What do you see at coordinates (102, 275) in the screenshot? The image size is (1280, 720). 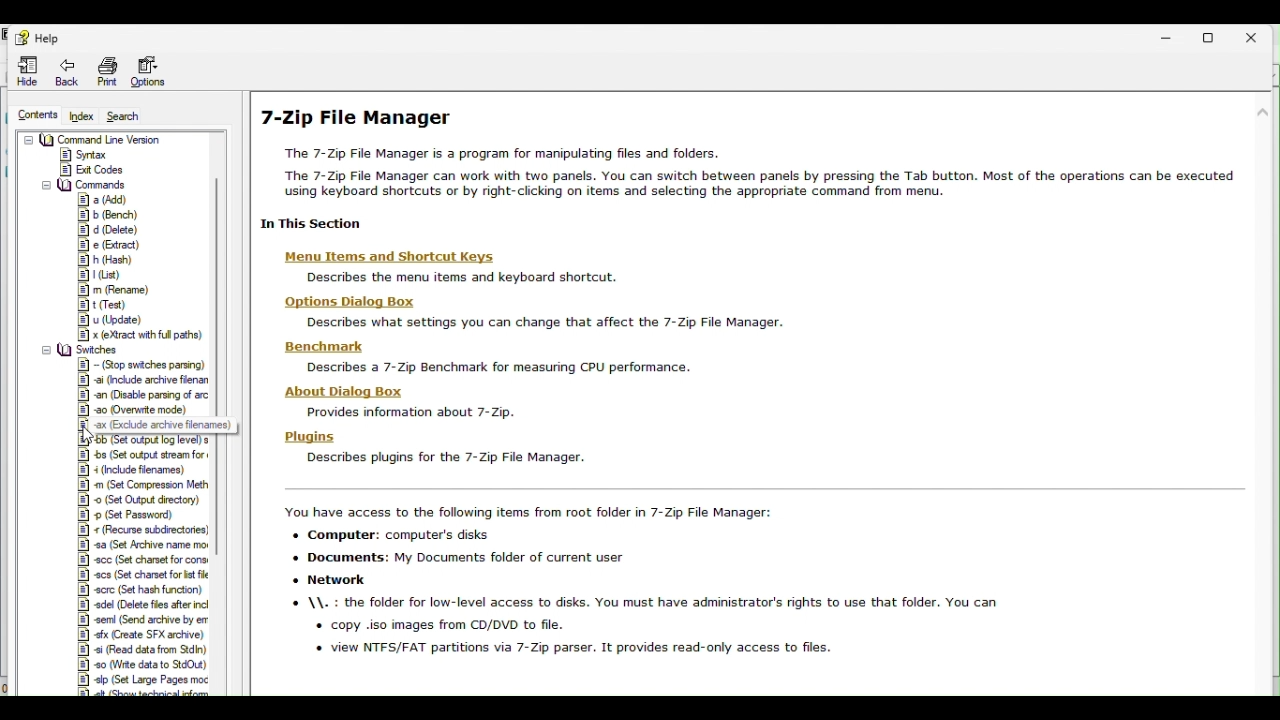 I see `Fst)` at bounding box center [102, 275].